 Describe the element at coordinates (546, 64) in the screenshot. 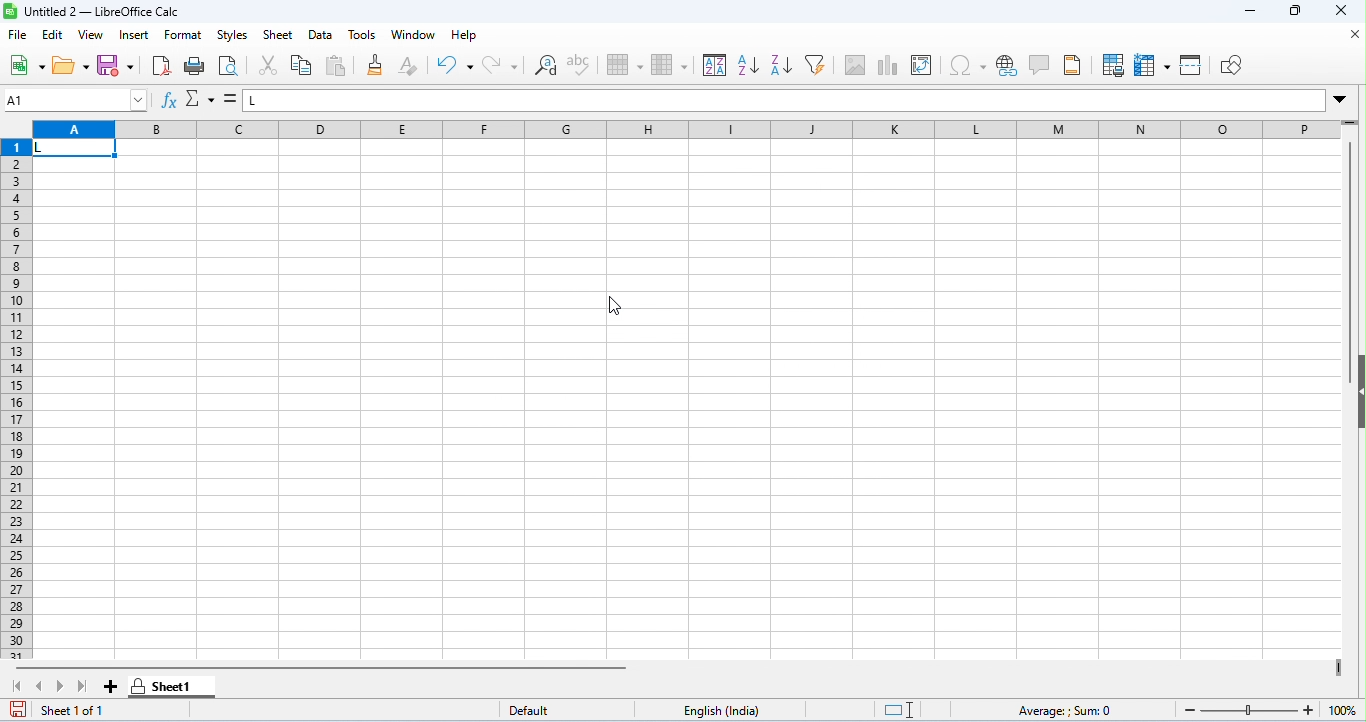

I see `find and replace` at that location.